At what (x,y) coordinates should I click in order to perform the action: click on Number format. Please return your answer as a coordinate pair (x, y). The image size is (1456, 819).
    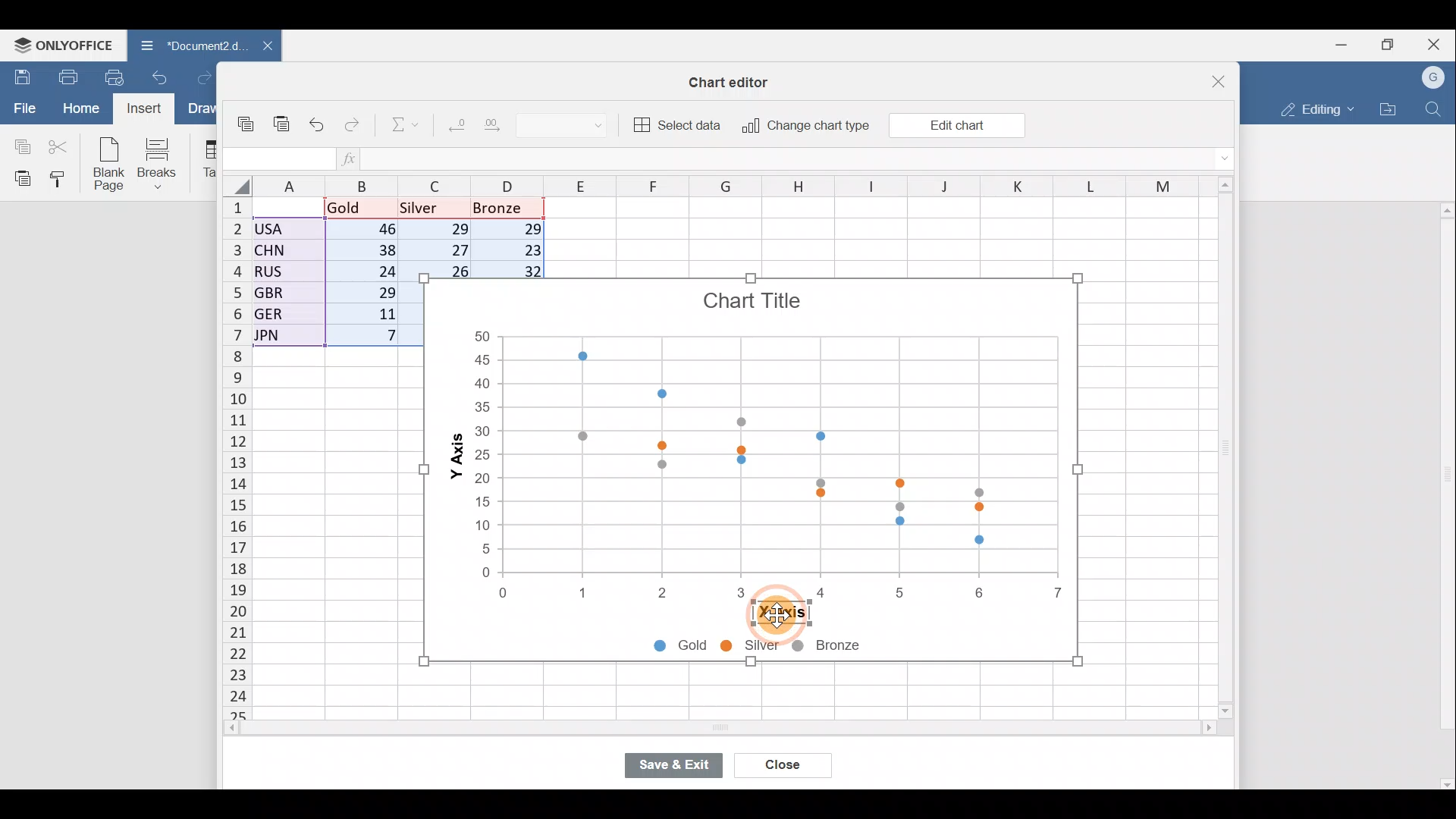
    Looking at the image, I should click on (573, 127).